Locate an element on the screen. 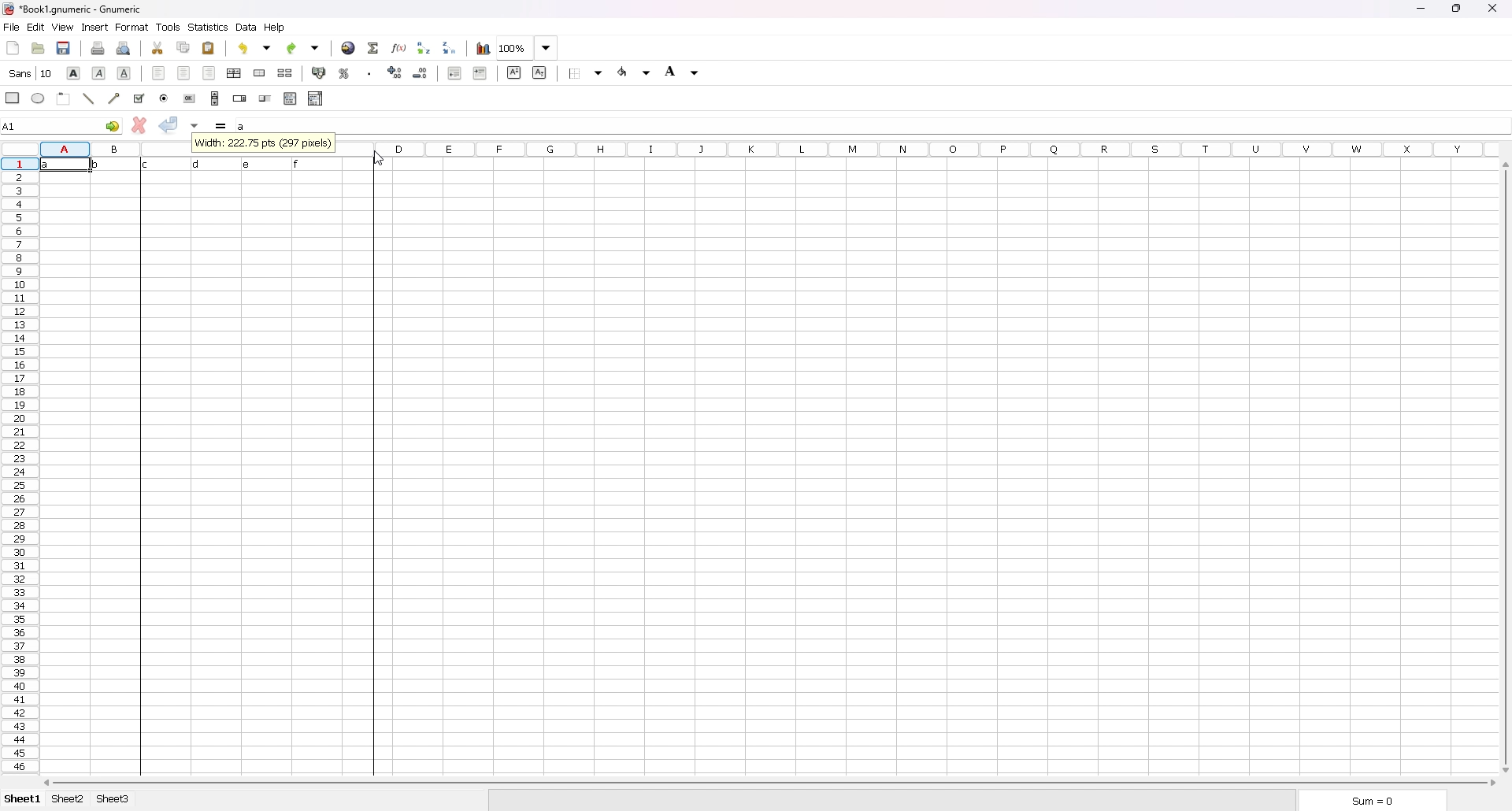 The height and width of the screenshot is (811, 1512). arrowed line is located at coordinates (116, 97).